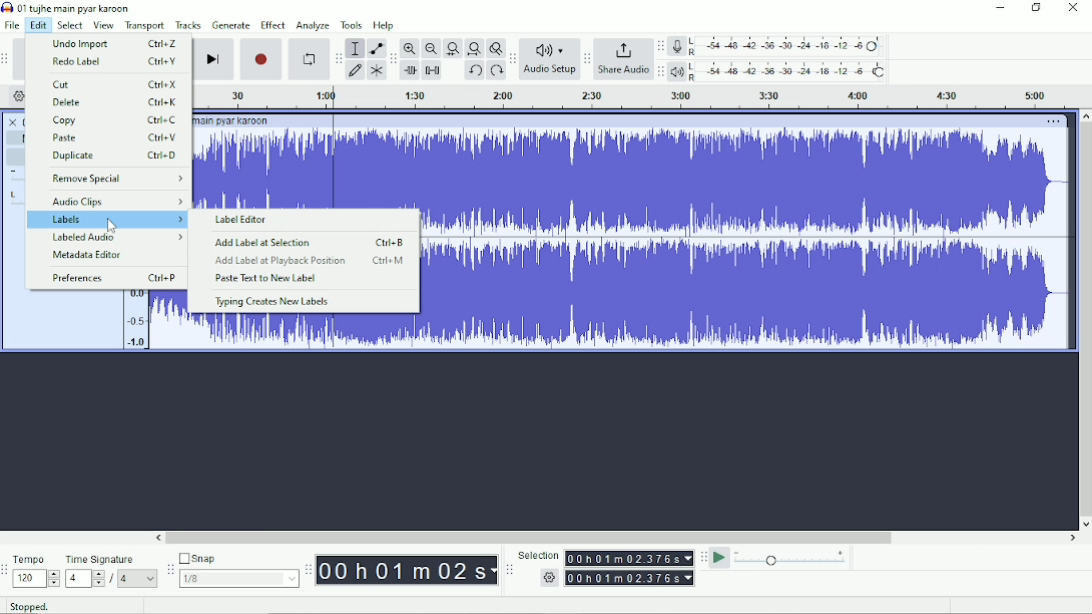 The height and width of the screenshot is (614, 1092). Describe the element at coordinates (410, 49) in the screenshot. I see `Zoom In` at that location.